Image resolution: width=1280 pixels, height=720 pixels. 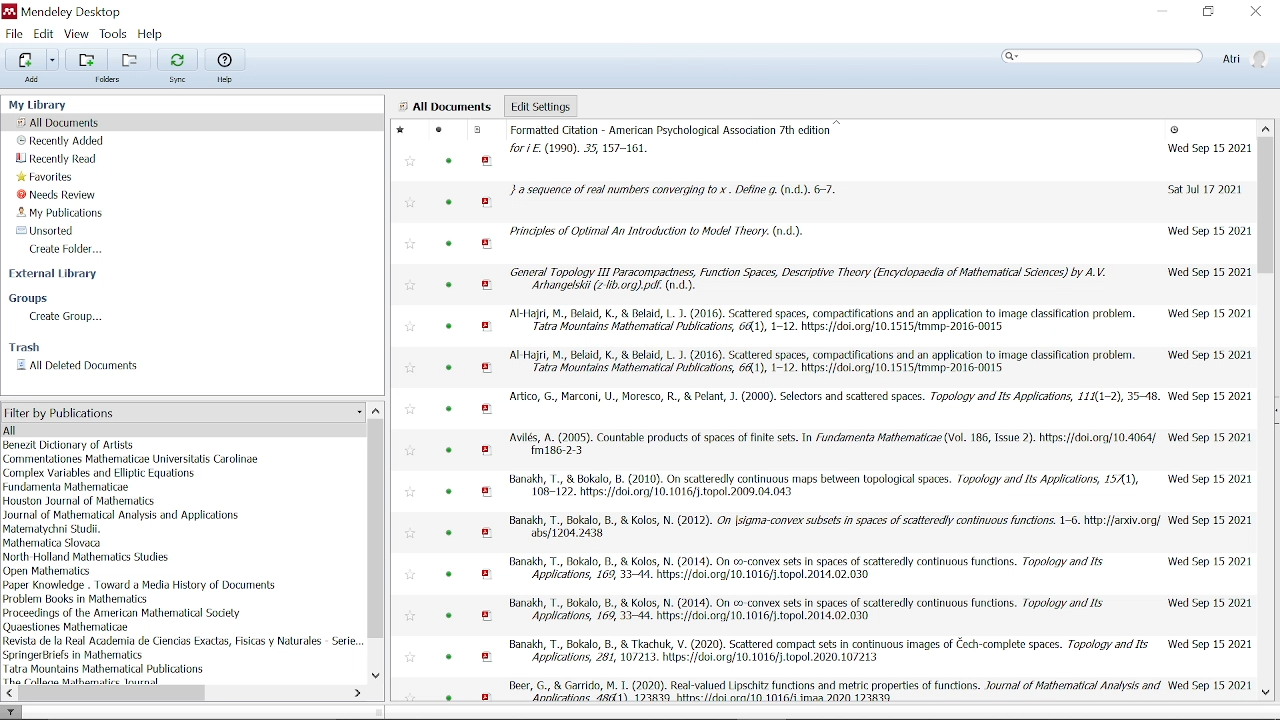 What do you see at coordinates (1266, 205) in the screenshot?
I see `Vertical scrollbar for files` at bounding box center [1266, 205].